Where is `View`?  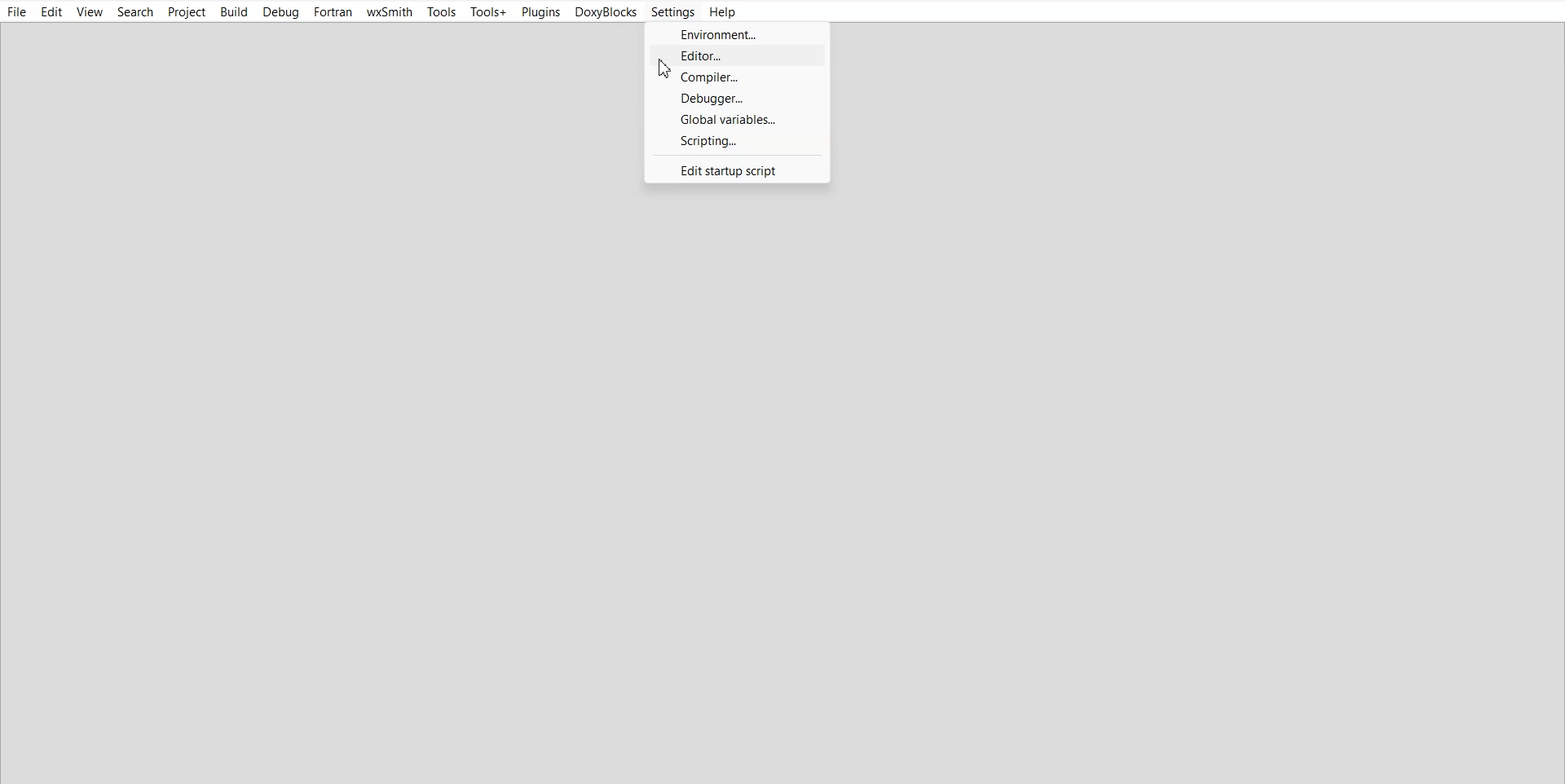 View is located at coordinates (90, 11).